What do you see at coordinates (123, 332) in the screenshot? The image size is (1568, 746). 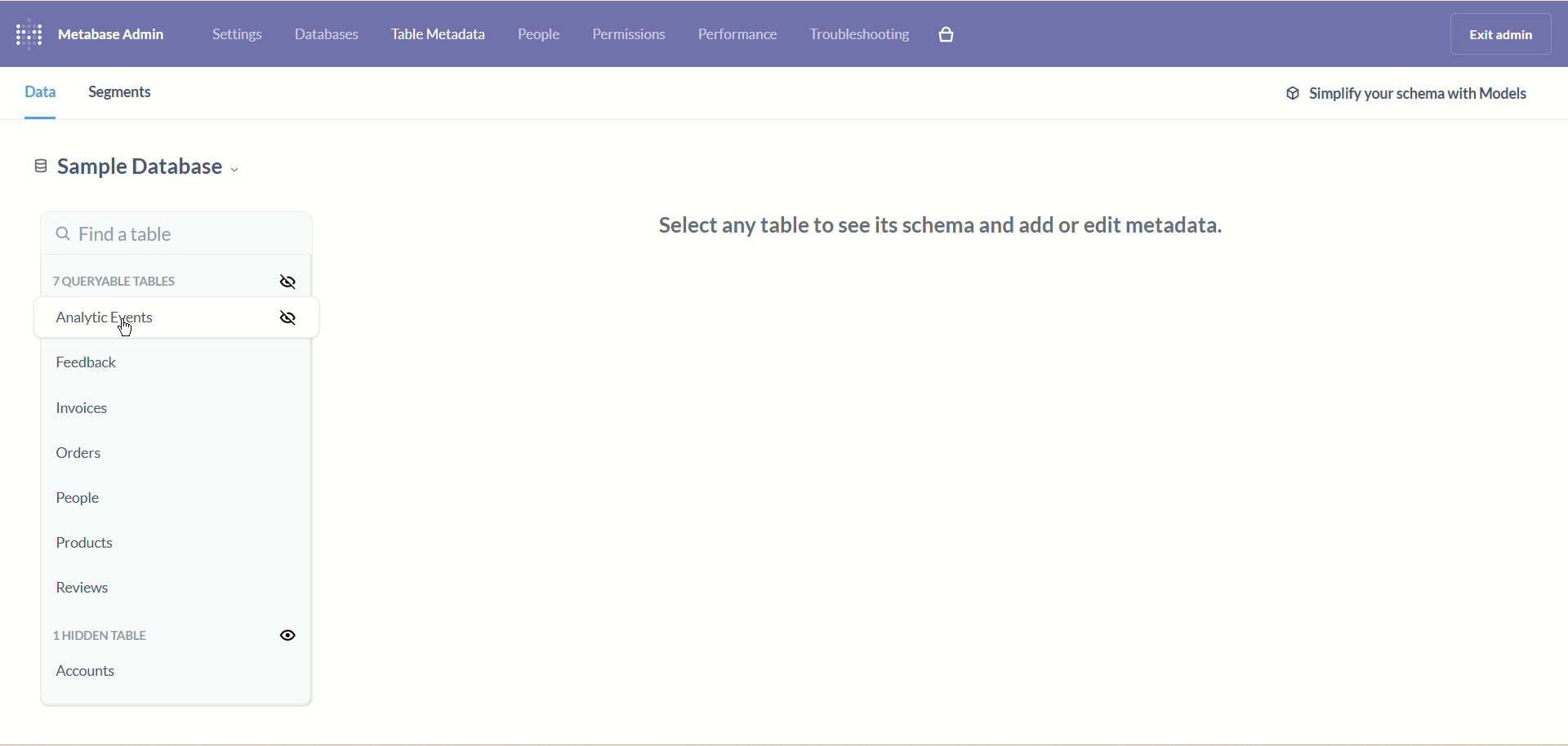 I see `cursor` at bounding box center [123, 332].